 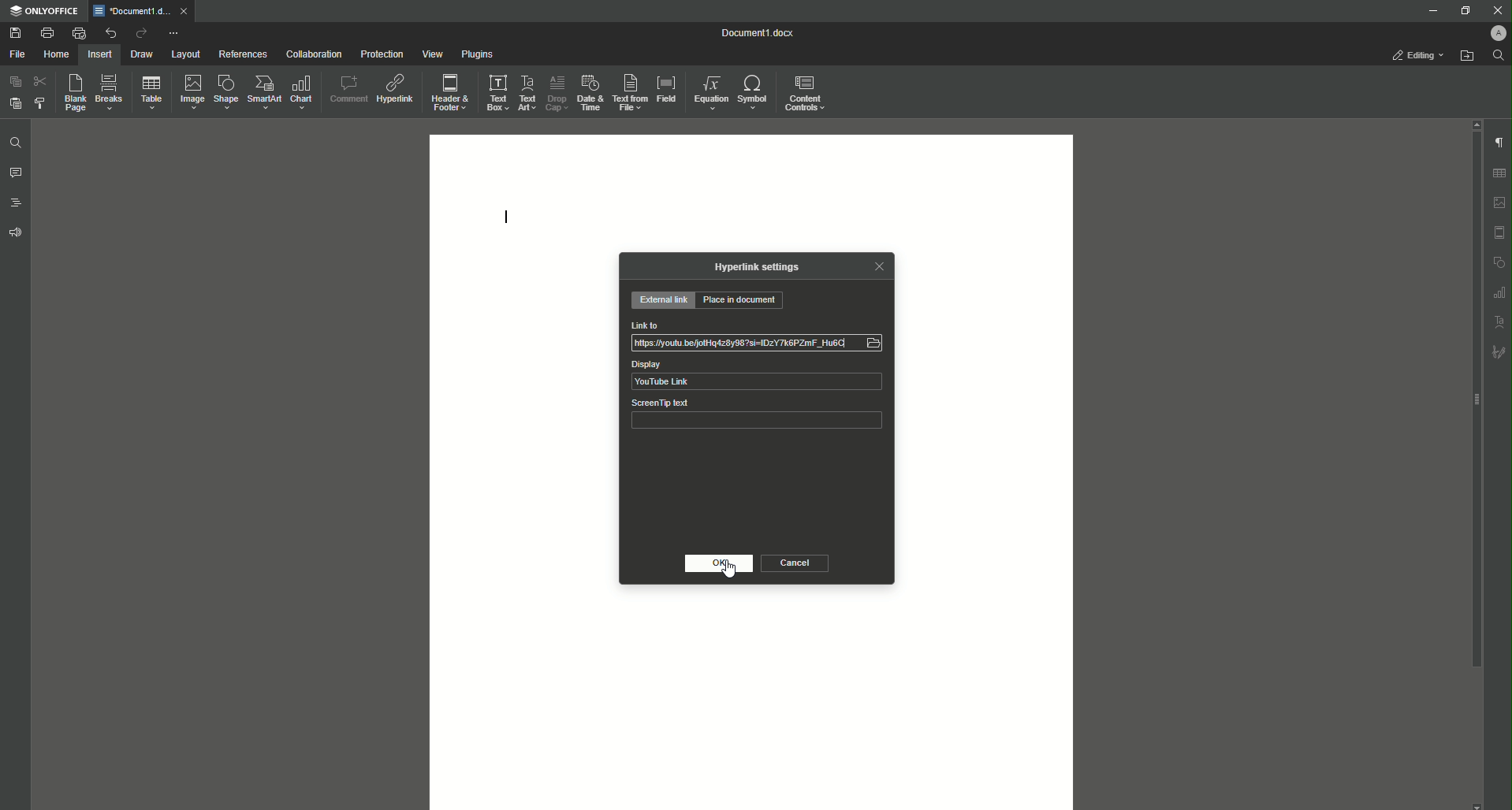 What do you see at coordinates (504, 218) in the screenshot?
I see `Text Line` at bounding box center [504, 218].